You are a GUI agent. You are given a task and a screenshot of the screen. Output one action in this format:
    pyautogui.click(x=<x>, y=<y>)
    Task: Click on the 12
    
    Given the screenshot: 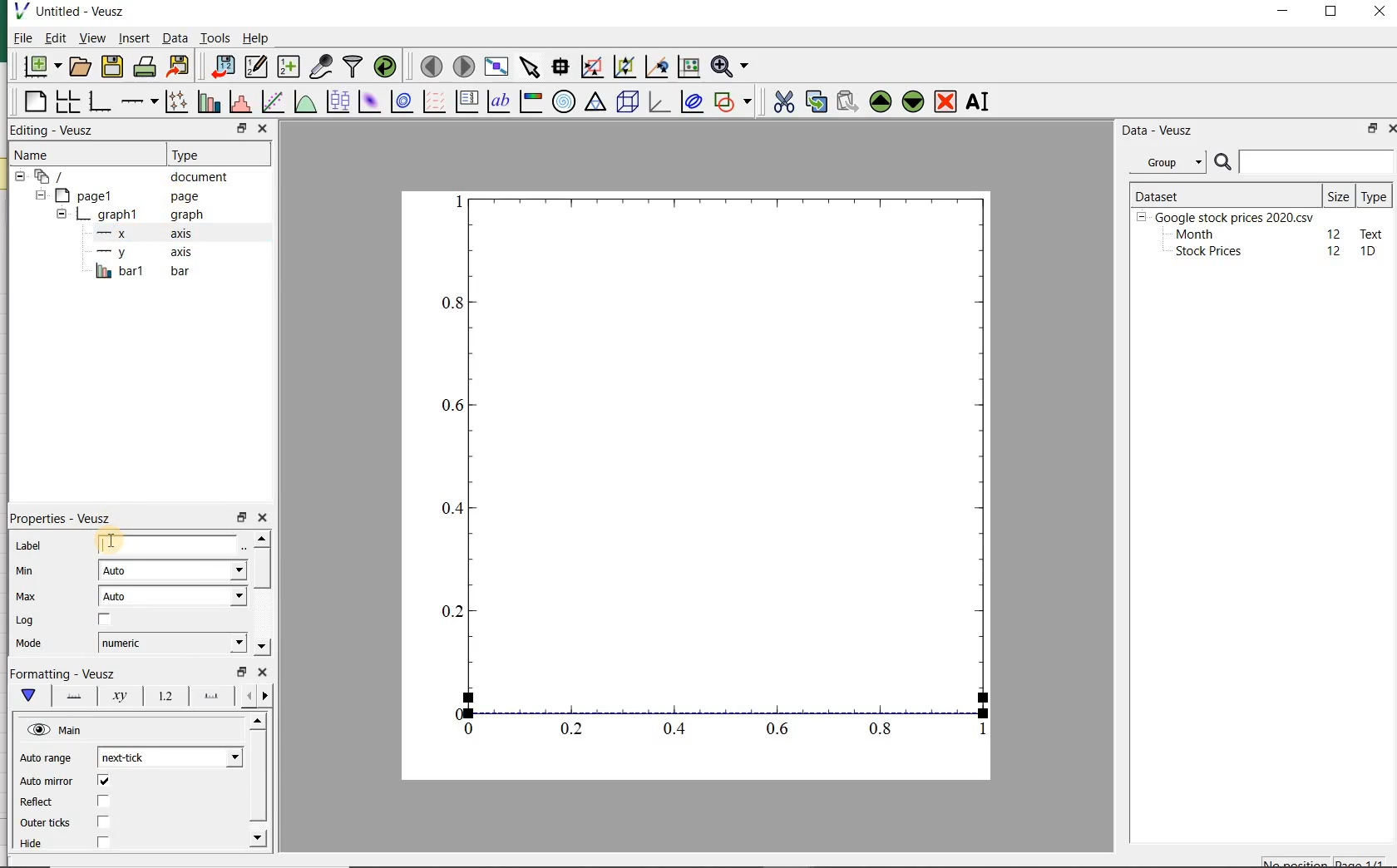 What is the action you would take?
    pyautogui.click(x=1335, y=233)
    